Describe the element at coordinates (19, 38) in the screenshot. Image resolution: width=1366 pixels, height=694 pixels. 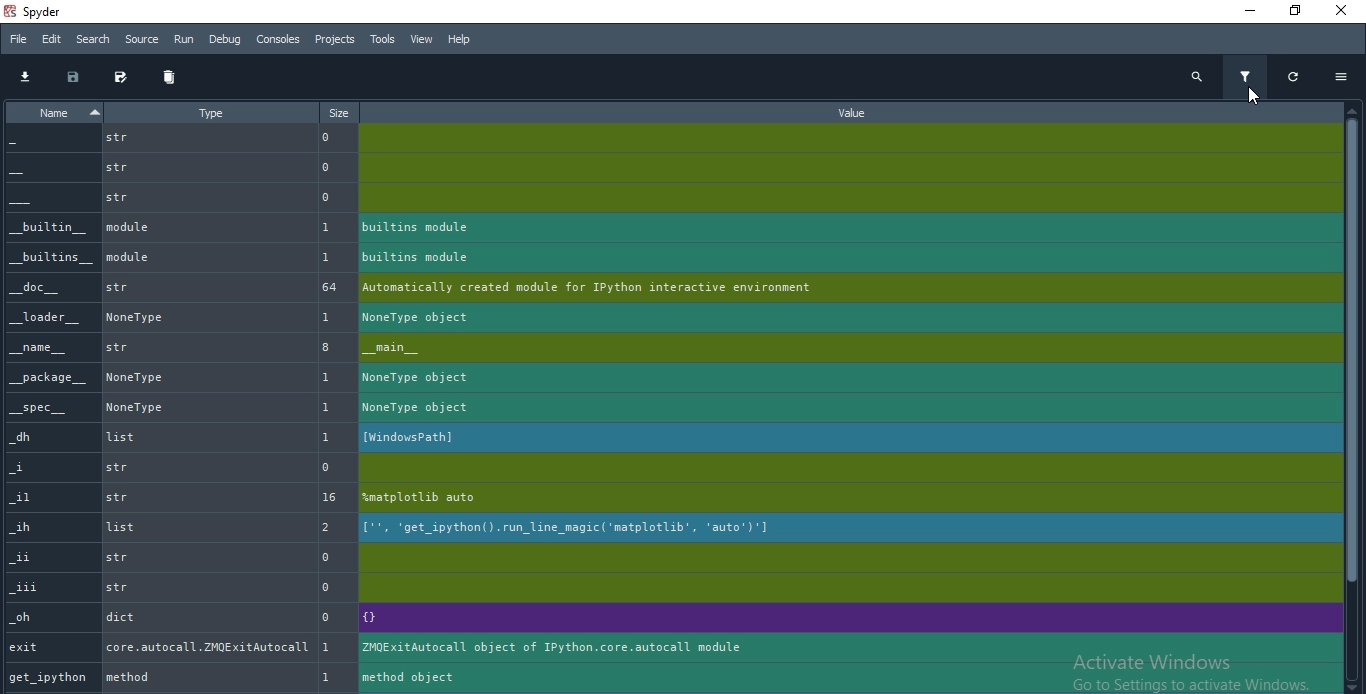
I see `File ` at that location.